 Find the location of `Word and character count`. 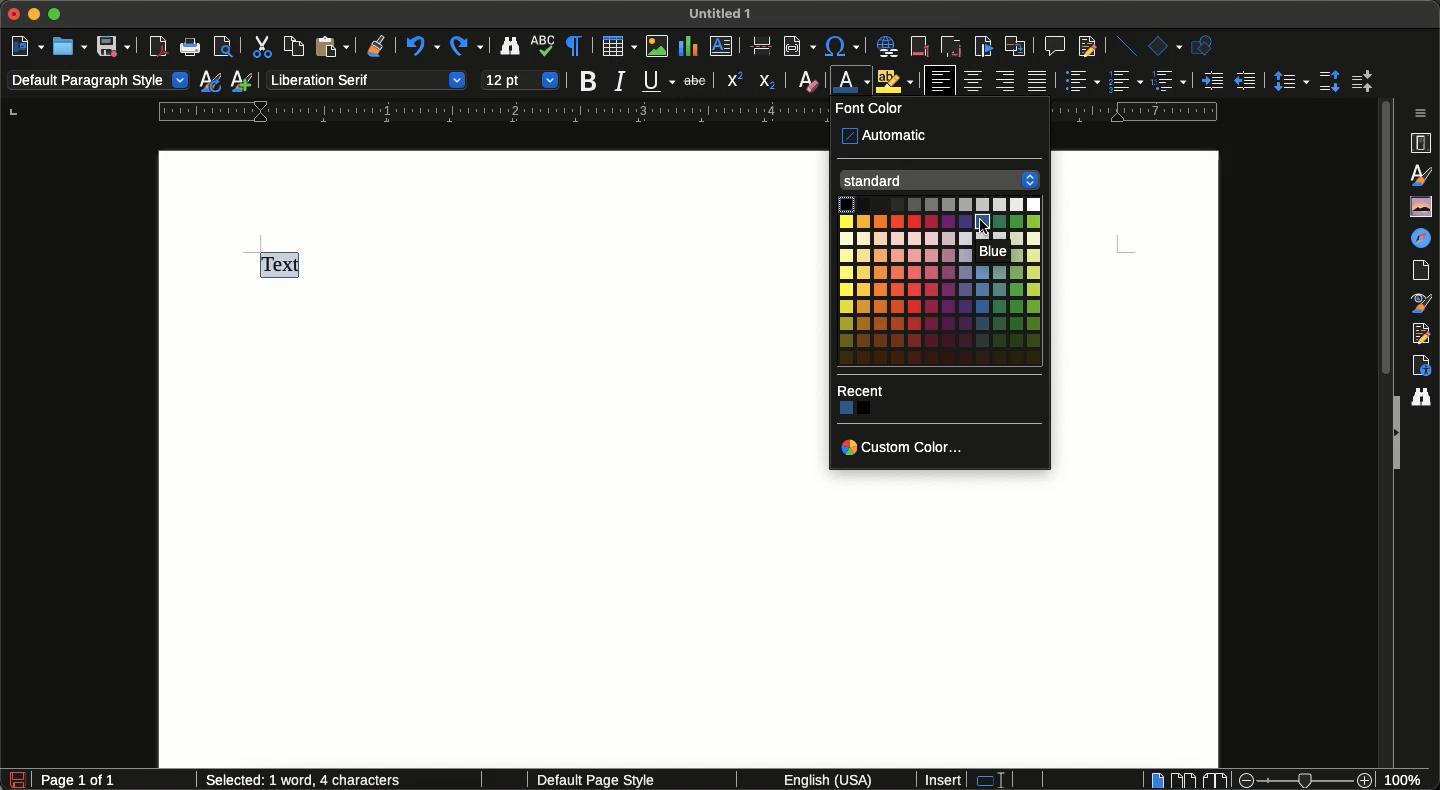

Word and character count is located at coordinates (317, 783).